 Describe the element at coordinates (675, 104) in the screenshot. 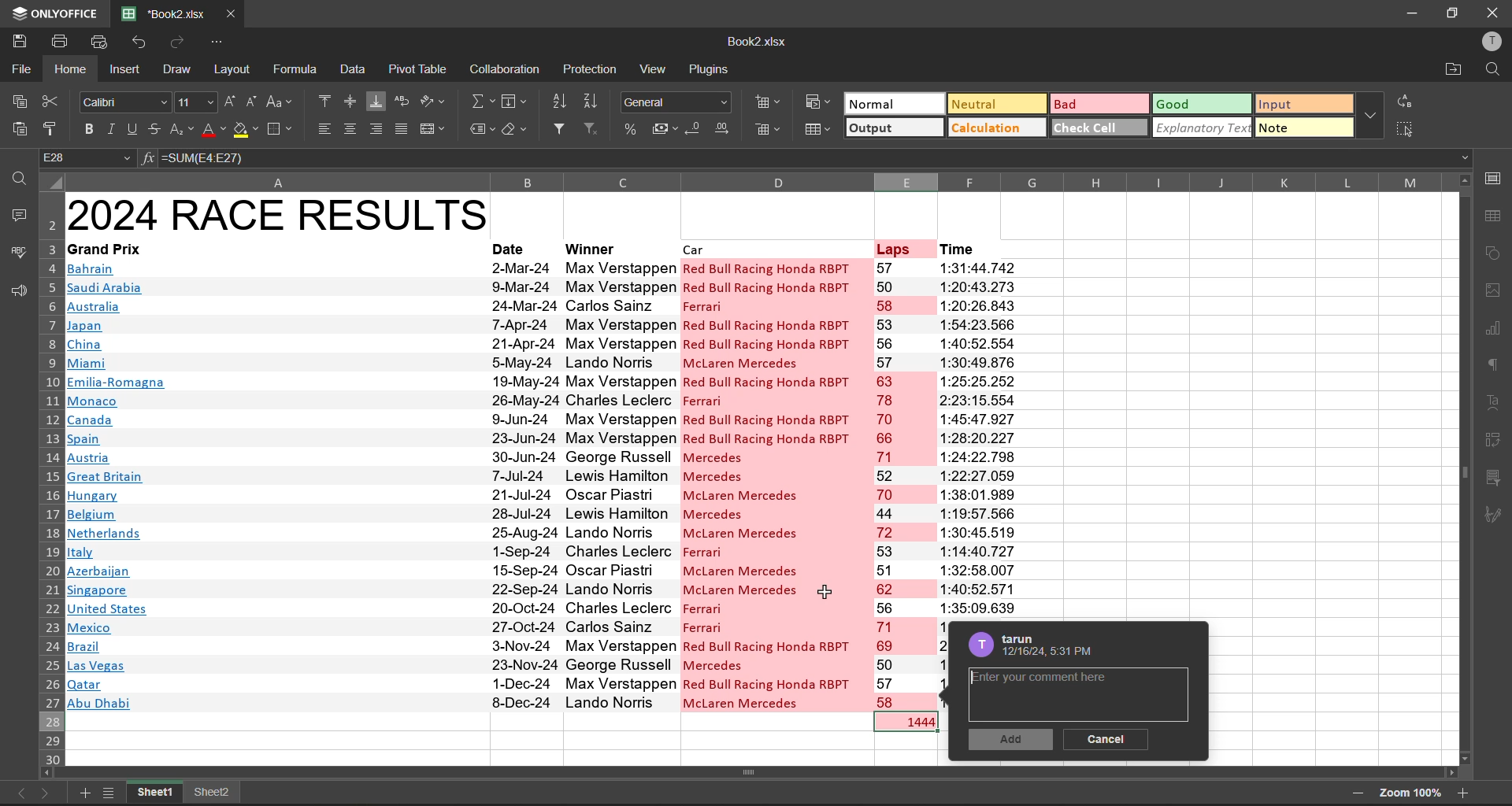

I see `number format` at that location.